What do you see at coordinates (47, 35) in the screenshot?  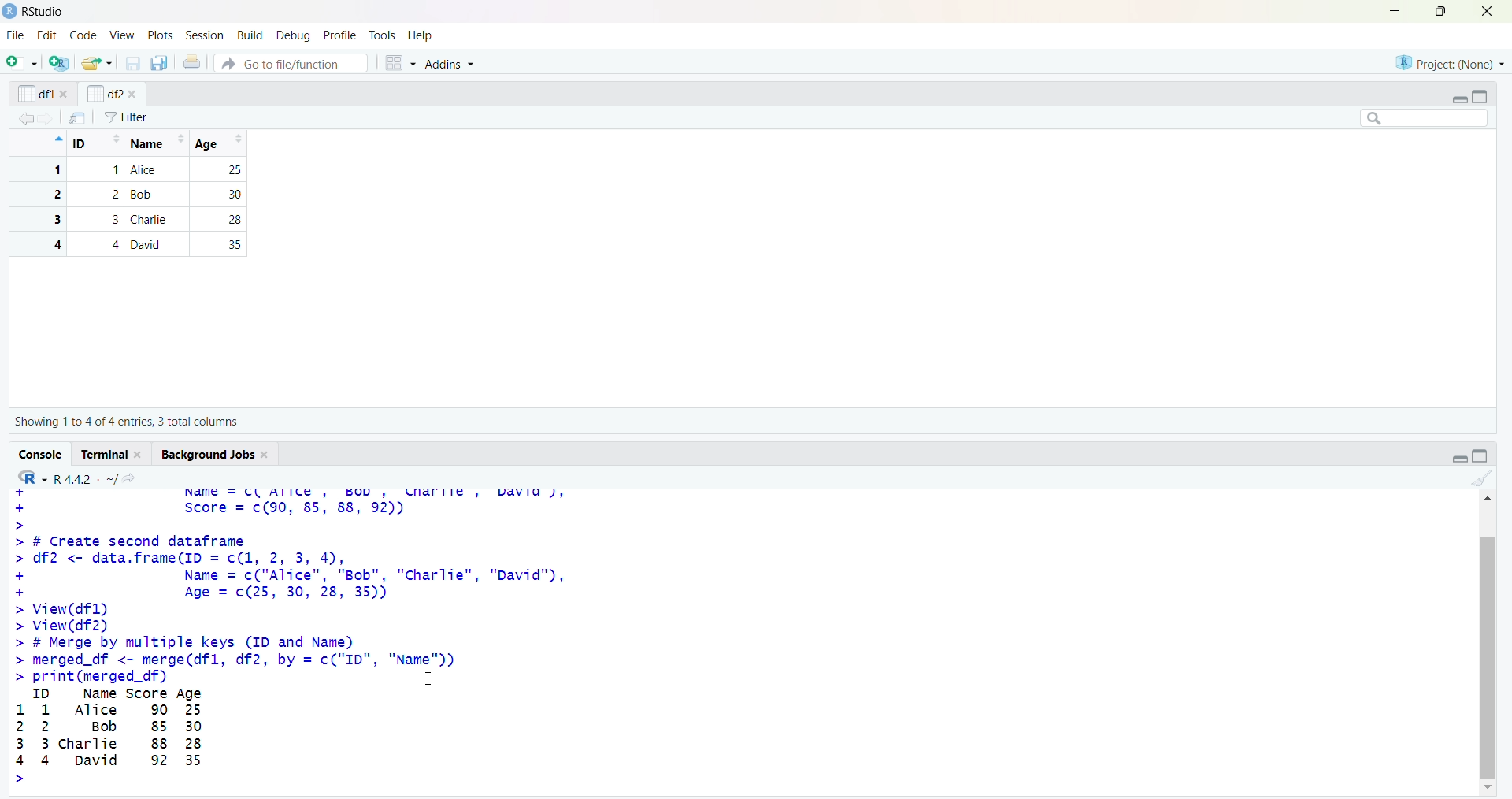 I see `edit` at bounding box center [47, 35].